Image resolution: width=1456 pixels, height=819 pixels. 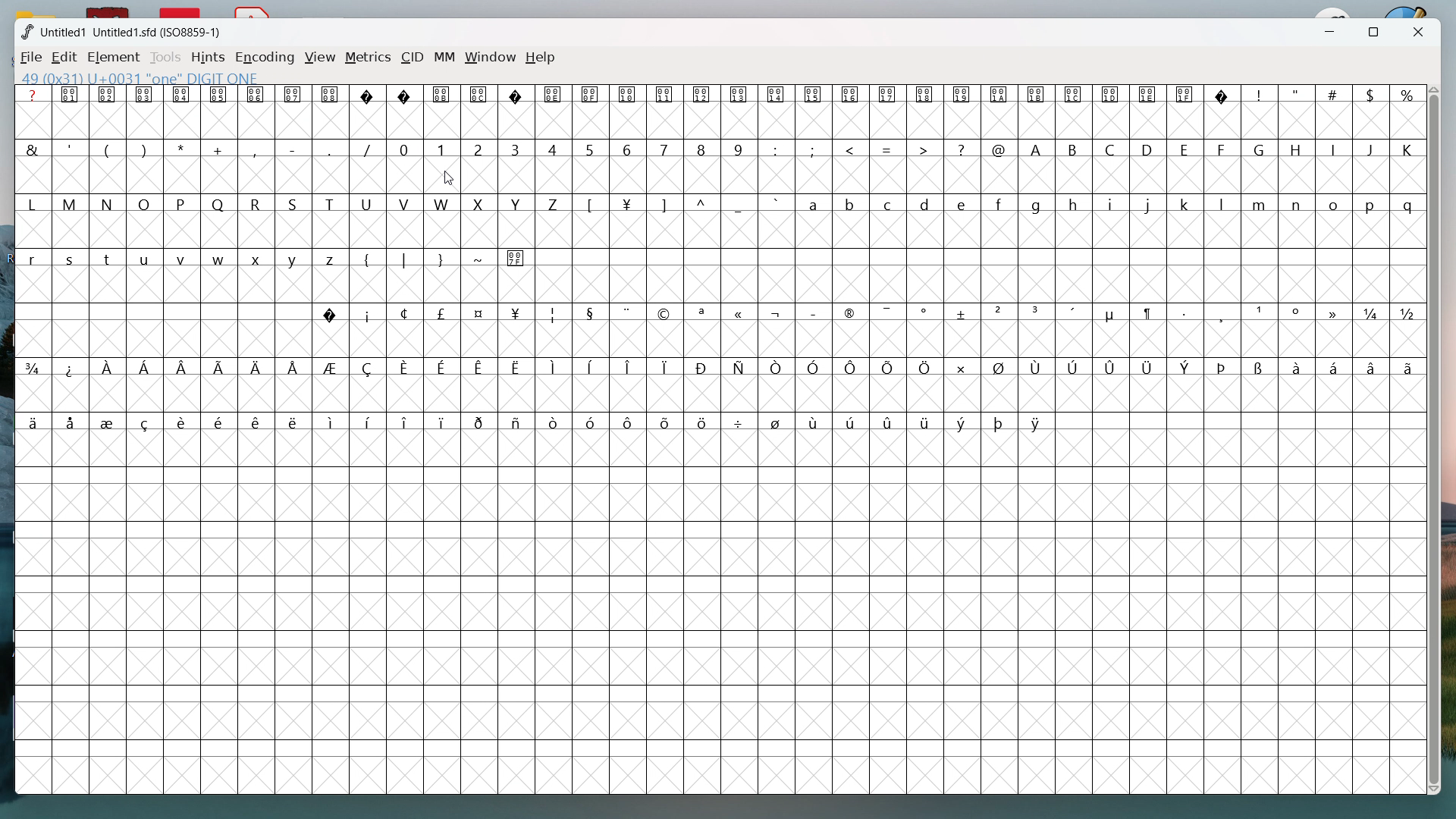 I want to click on symbol, so click(x=444, y=314).